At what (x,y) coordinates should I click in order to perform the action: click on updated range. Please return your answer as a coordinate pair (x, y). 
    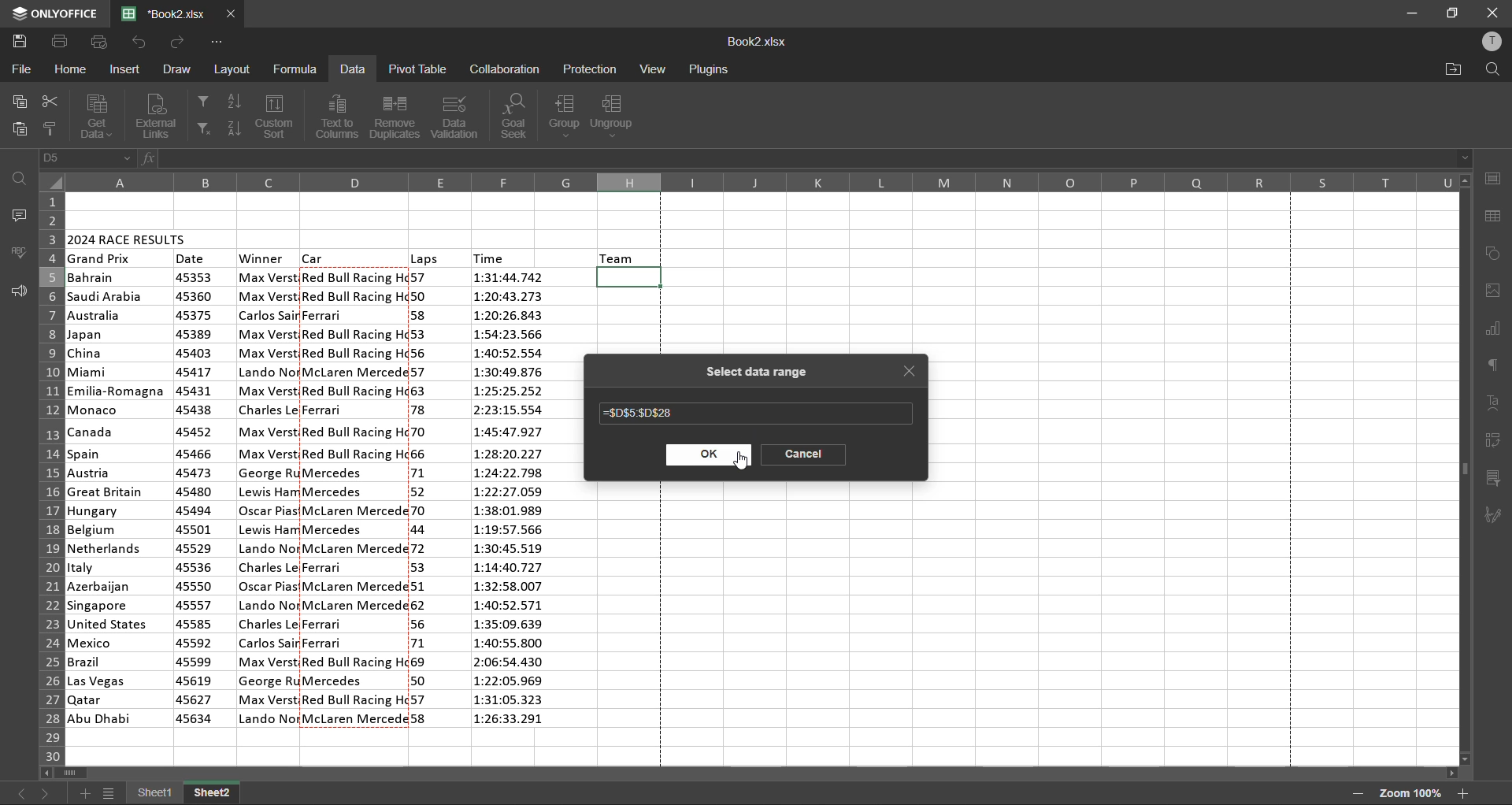
    Looking at the image, I should click on (640, 414).